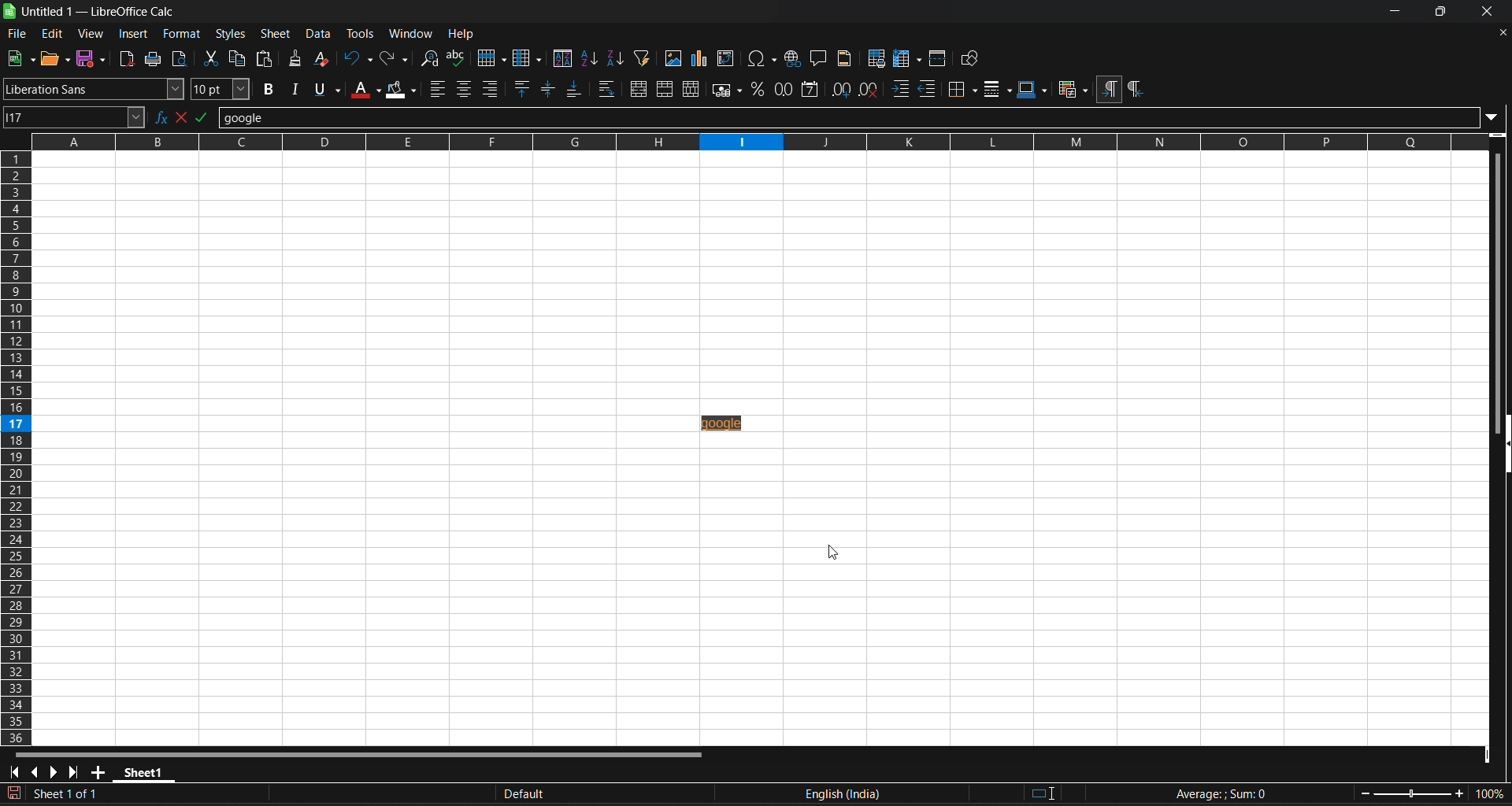 The height and width of the screenshot is (806, 1512). Describe the element at coordinates (326, 89) in the screenshot. I see `underline` at that location.